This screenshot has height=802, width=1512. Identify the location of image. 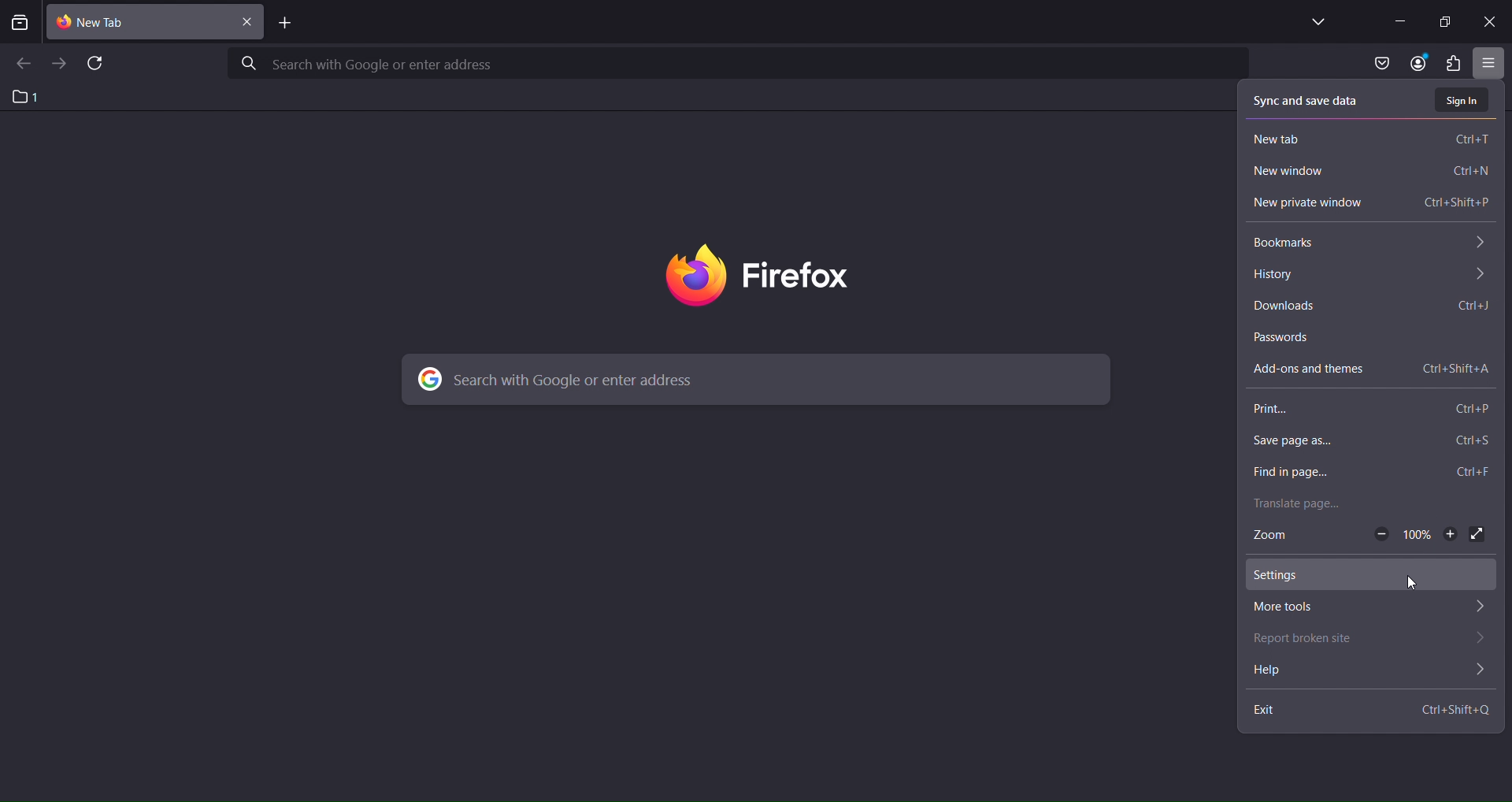
(776, 276).